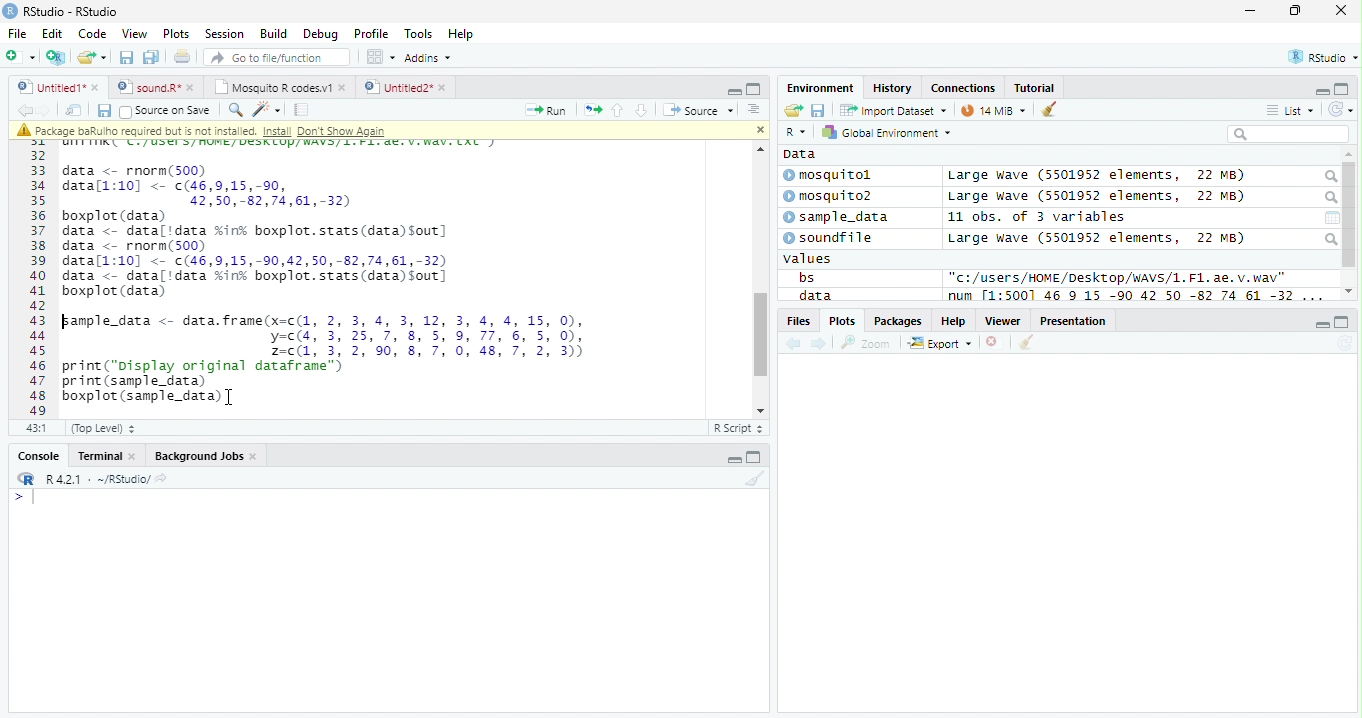 The image size is (1362, 718). Describe the element at coordinates (37, 278) in the screenshot. I see `Numbering line` at that location.